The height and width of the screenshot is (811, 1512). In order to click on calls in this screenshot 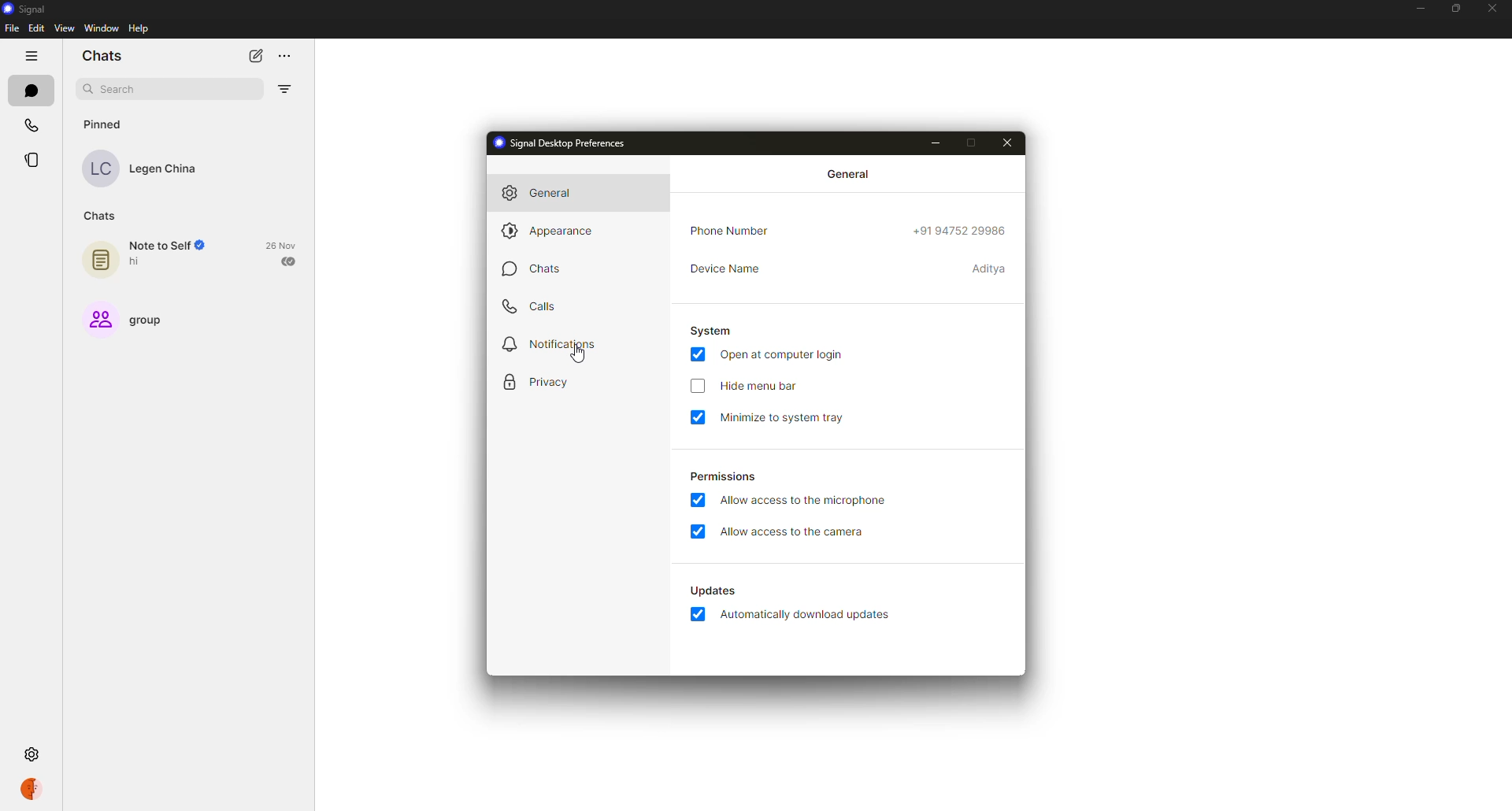, I will do `click(30, 124)`.